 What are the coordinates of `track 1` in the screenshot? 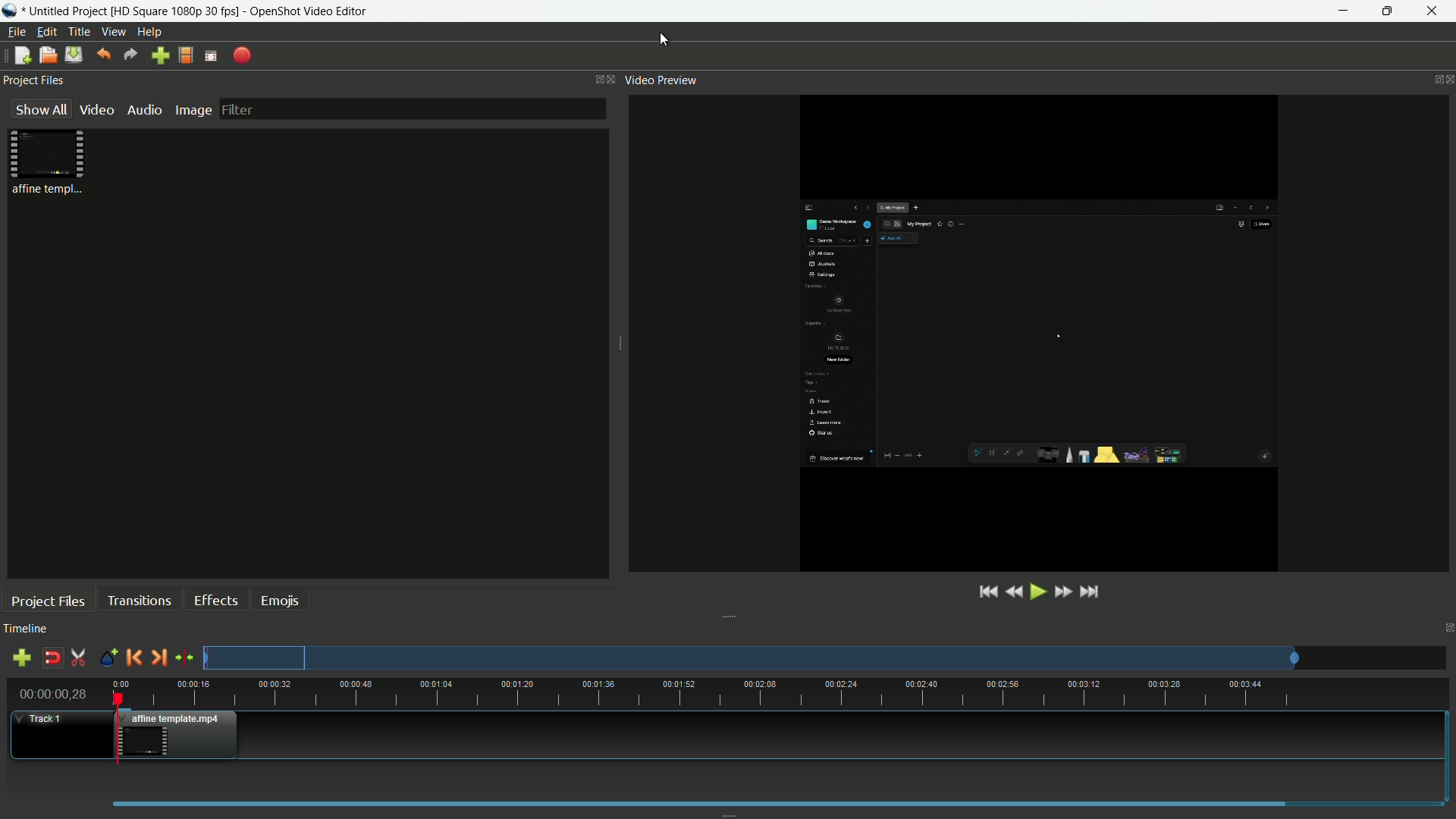 It's located at (42, 719).